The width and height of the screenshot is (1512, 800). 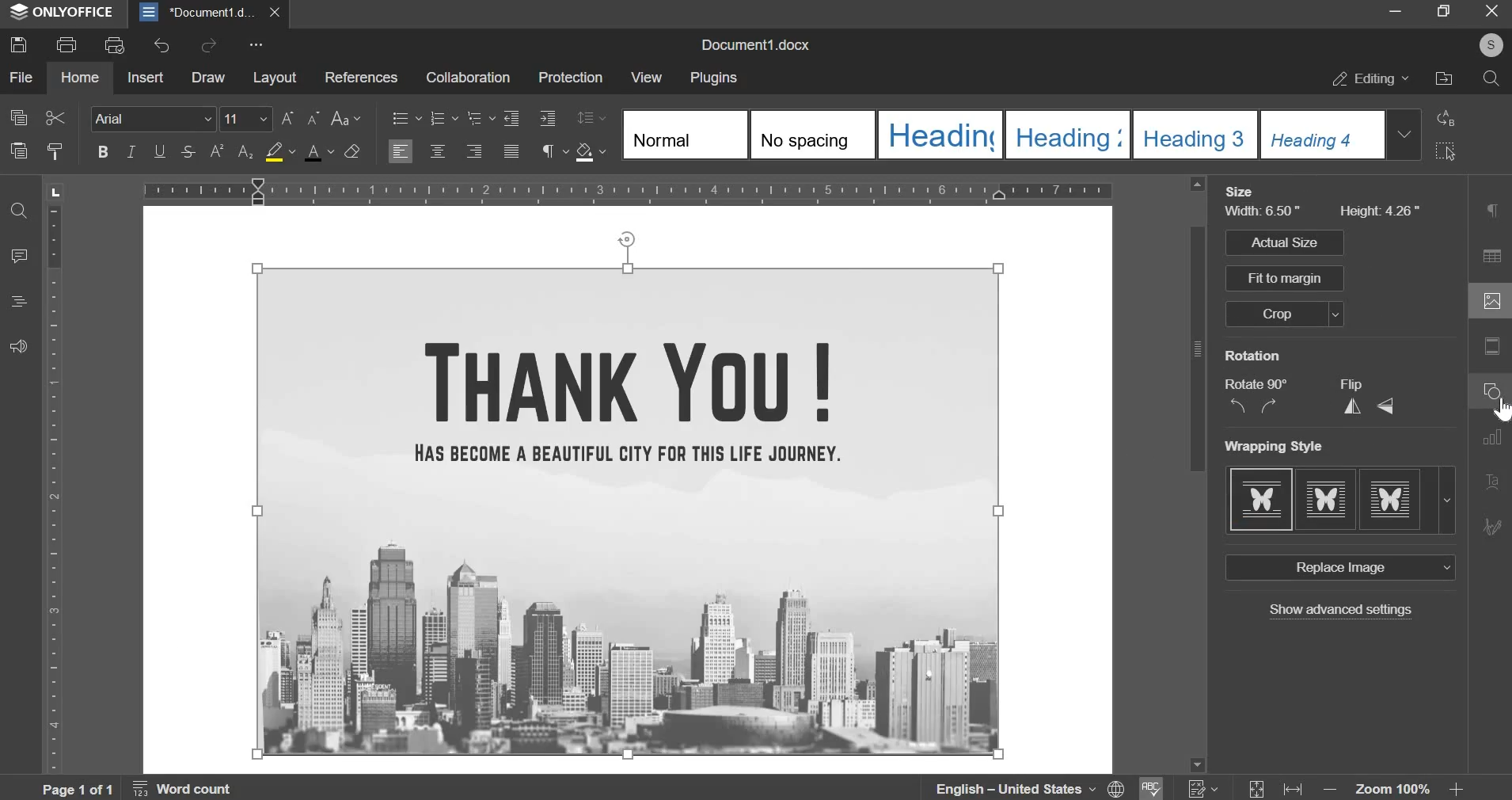 I want to click on editing, so click(x=1370, y=79).